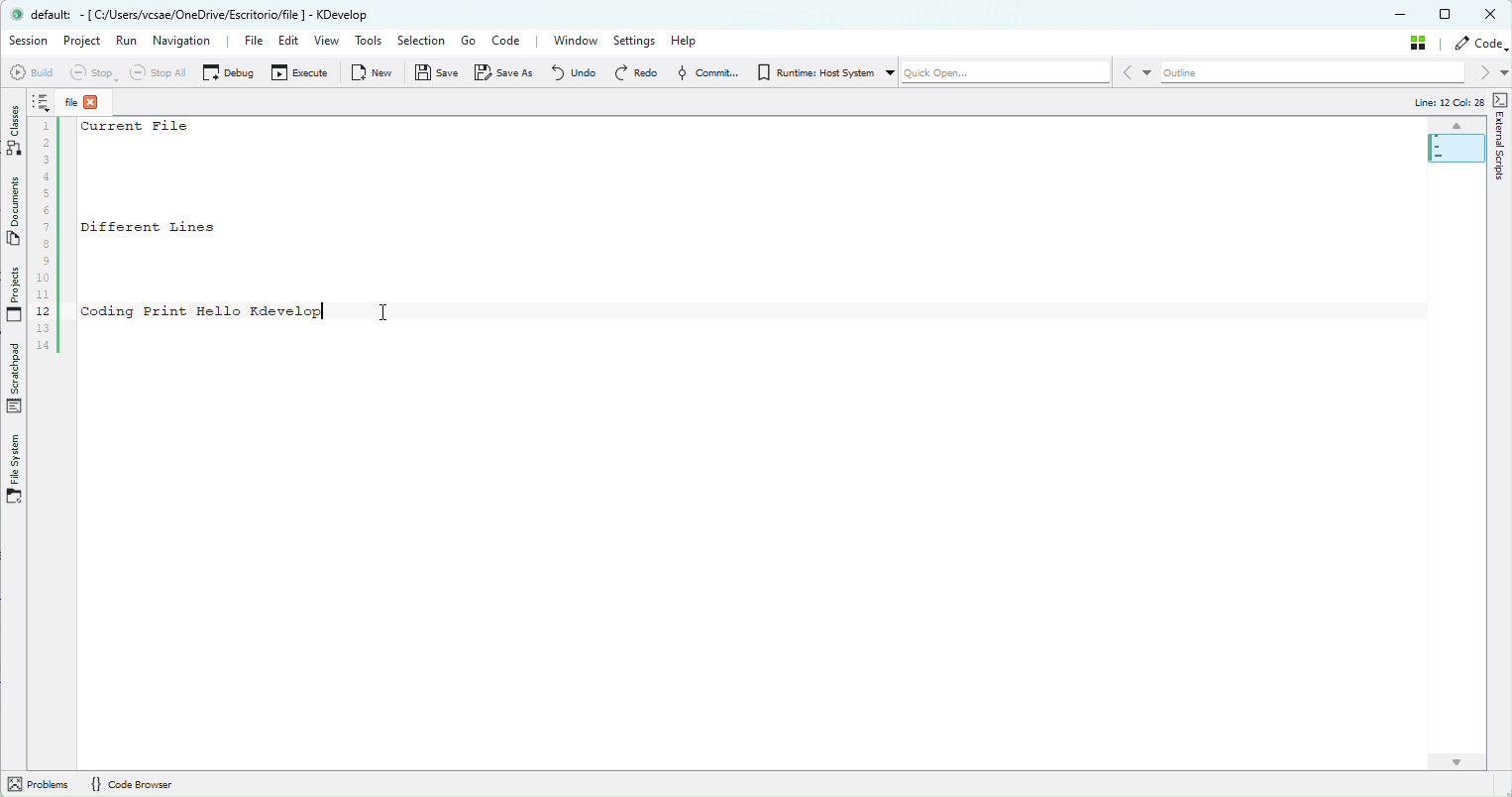 The image size is (1512, 797). Describe the element at coordinates (326, 42) in the screenshot. I see `View` at that location.